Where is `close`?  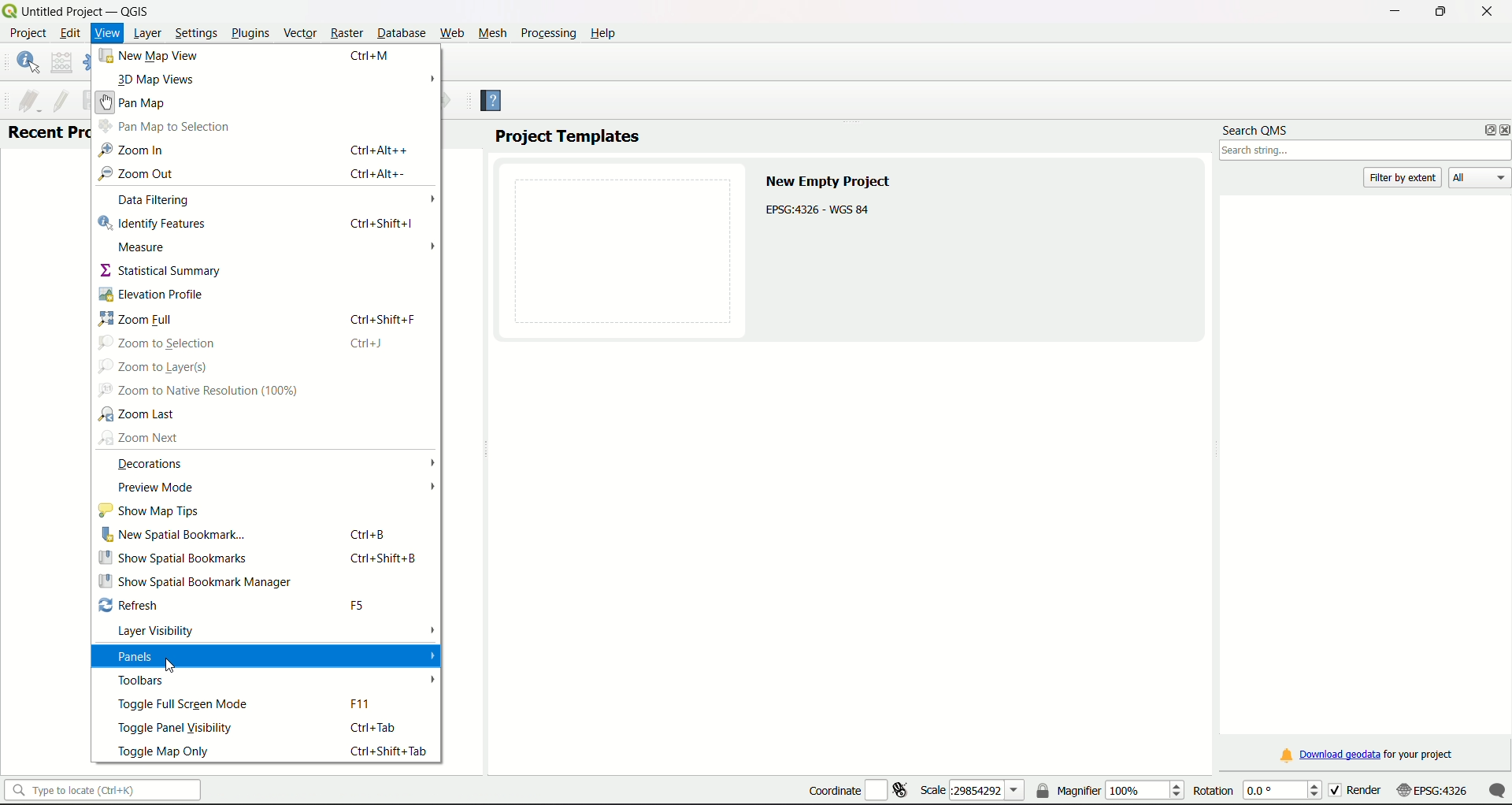
close is located at coordinates (1503, 131).